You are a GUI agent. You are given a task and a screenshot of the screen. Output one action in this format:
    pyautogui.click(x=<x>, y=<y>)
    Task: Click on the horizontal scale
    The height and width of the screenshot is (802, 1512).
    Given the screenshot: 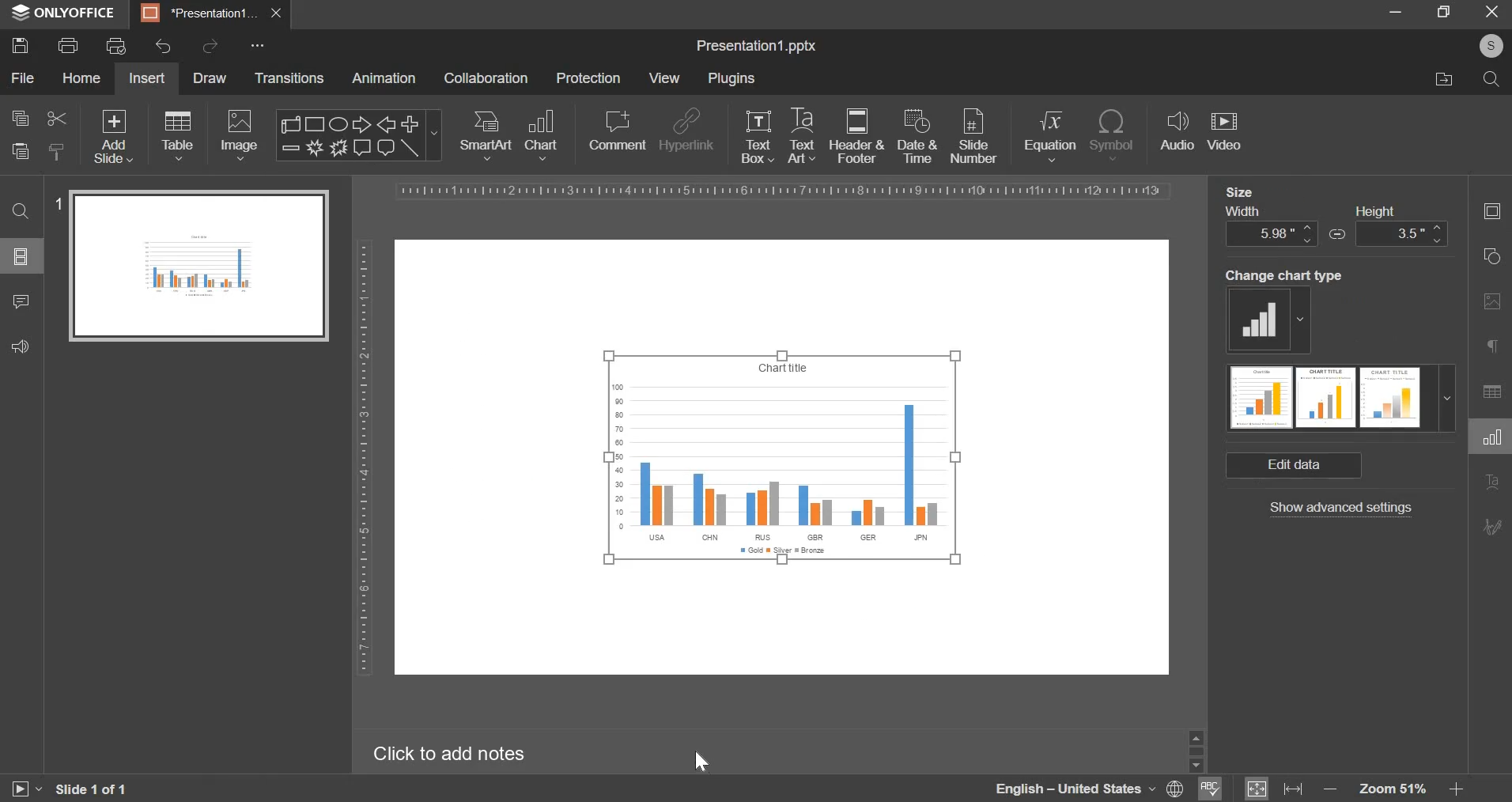 What is the action you would take?
    pyautogui.click(x=790, y=191)
    